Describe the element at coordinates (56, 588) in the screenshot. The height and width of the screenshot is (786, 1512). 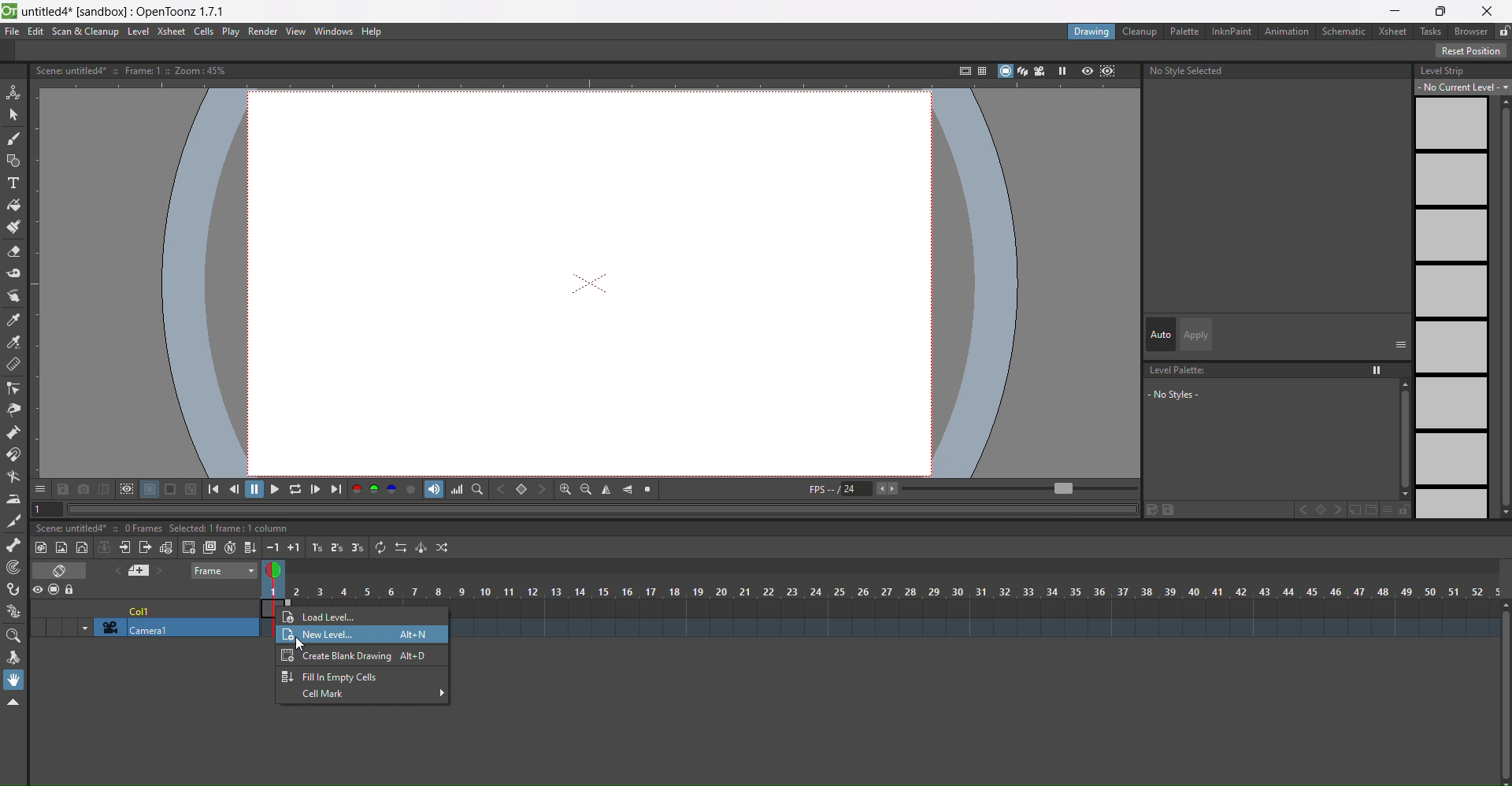
I see `` at that location.